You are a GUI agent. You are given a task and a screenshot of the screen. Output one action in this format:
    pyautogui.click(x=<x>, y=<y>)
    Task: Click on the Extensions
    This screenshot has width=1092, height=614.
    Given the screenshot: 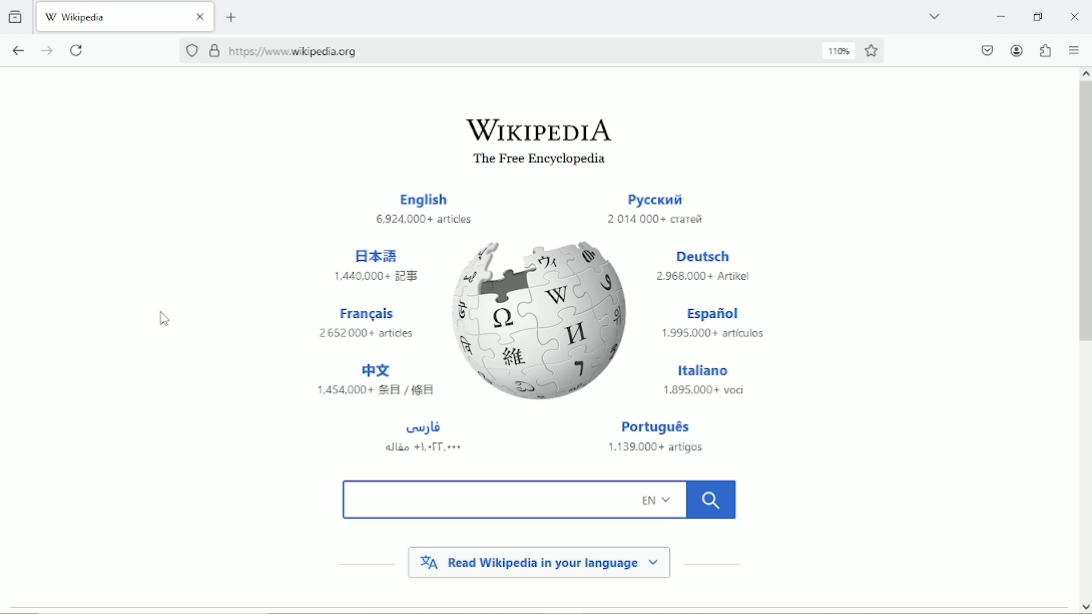 What is the action you would take?
    pyautogui.click(x=1045, y=51)
    